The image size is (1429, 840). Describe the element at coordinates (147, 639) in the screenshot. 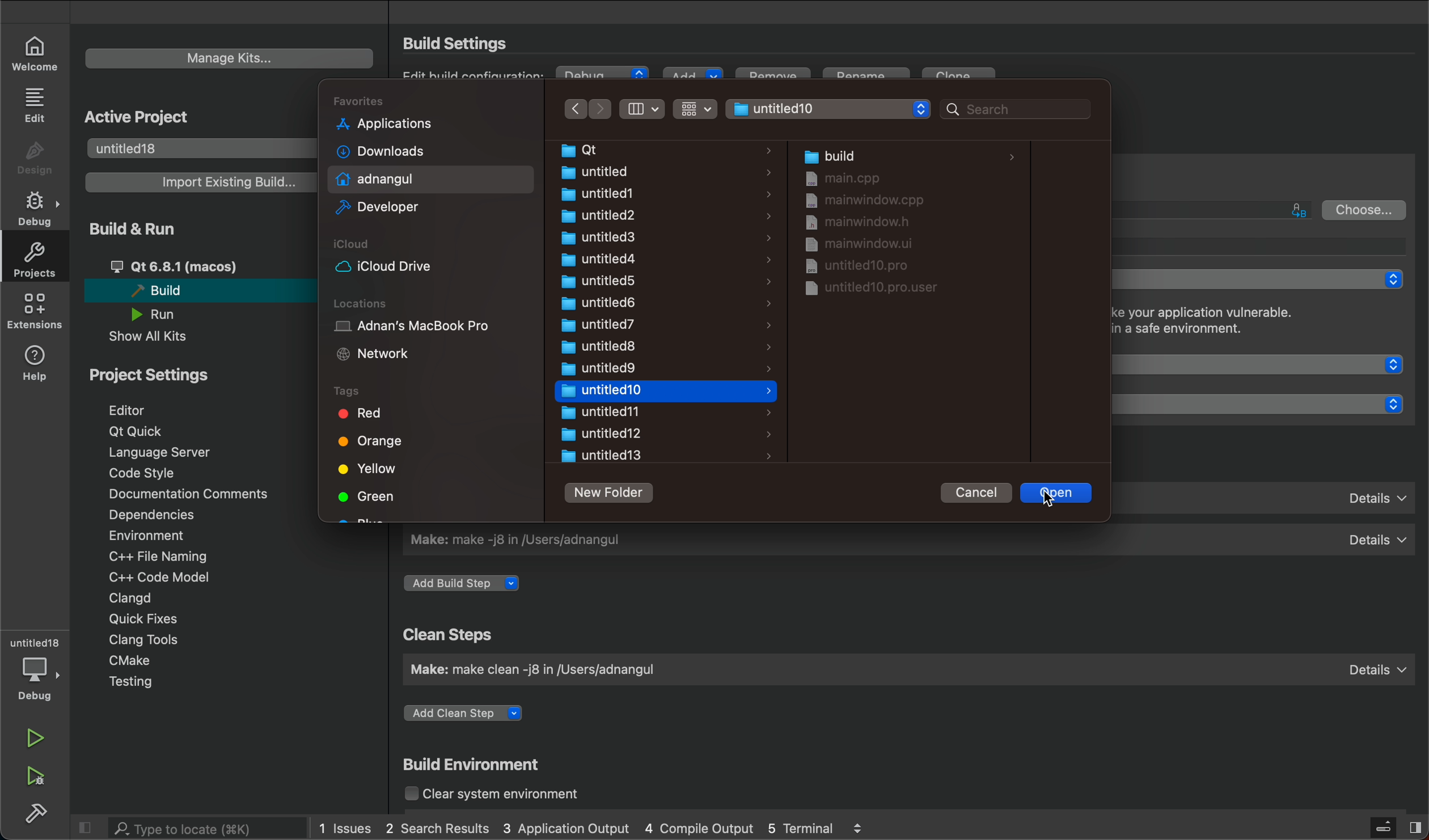

I see `clang tools` at that location.